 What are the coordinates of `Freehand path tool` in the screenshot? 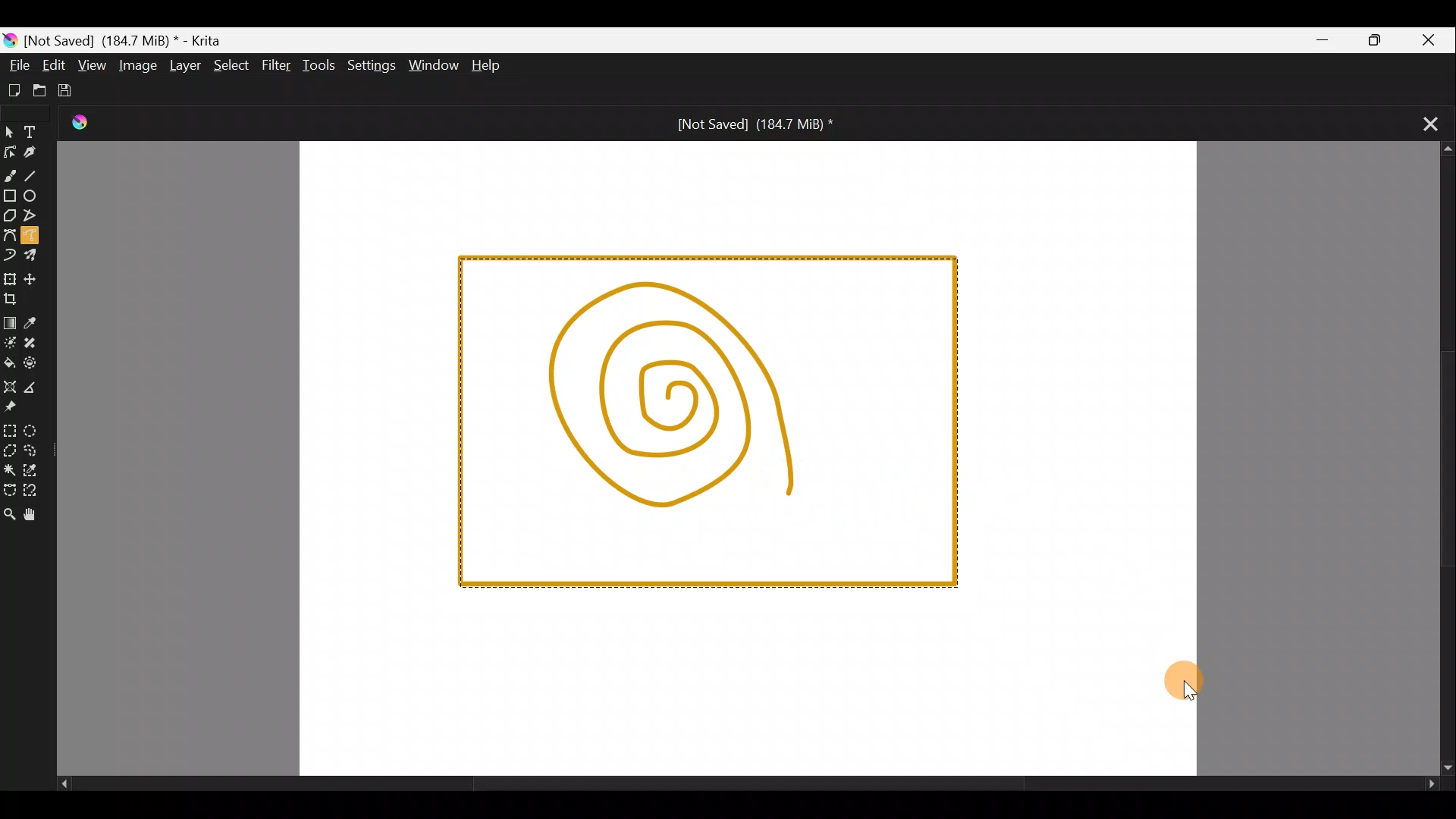 It's located at (42, 239).